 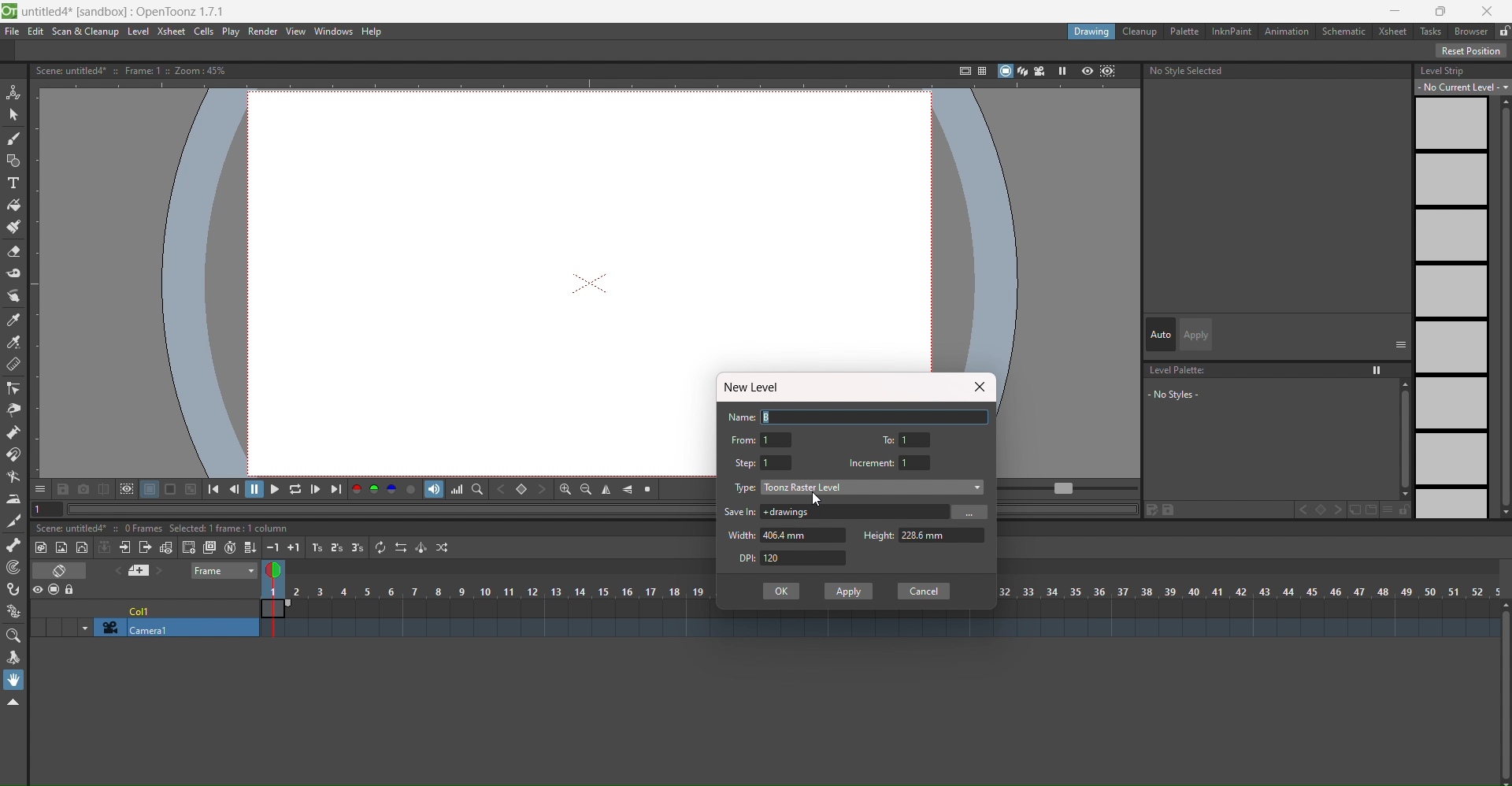 What do you see at coordinates (891, 438) in the screenshot?
I see `to` at bounding box center [891, 438].